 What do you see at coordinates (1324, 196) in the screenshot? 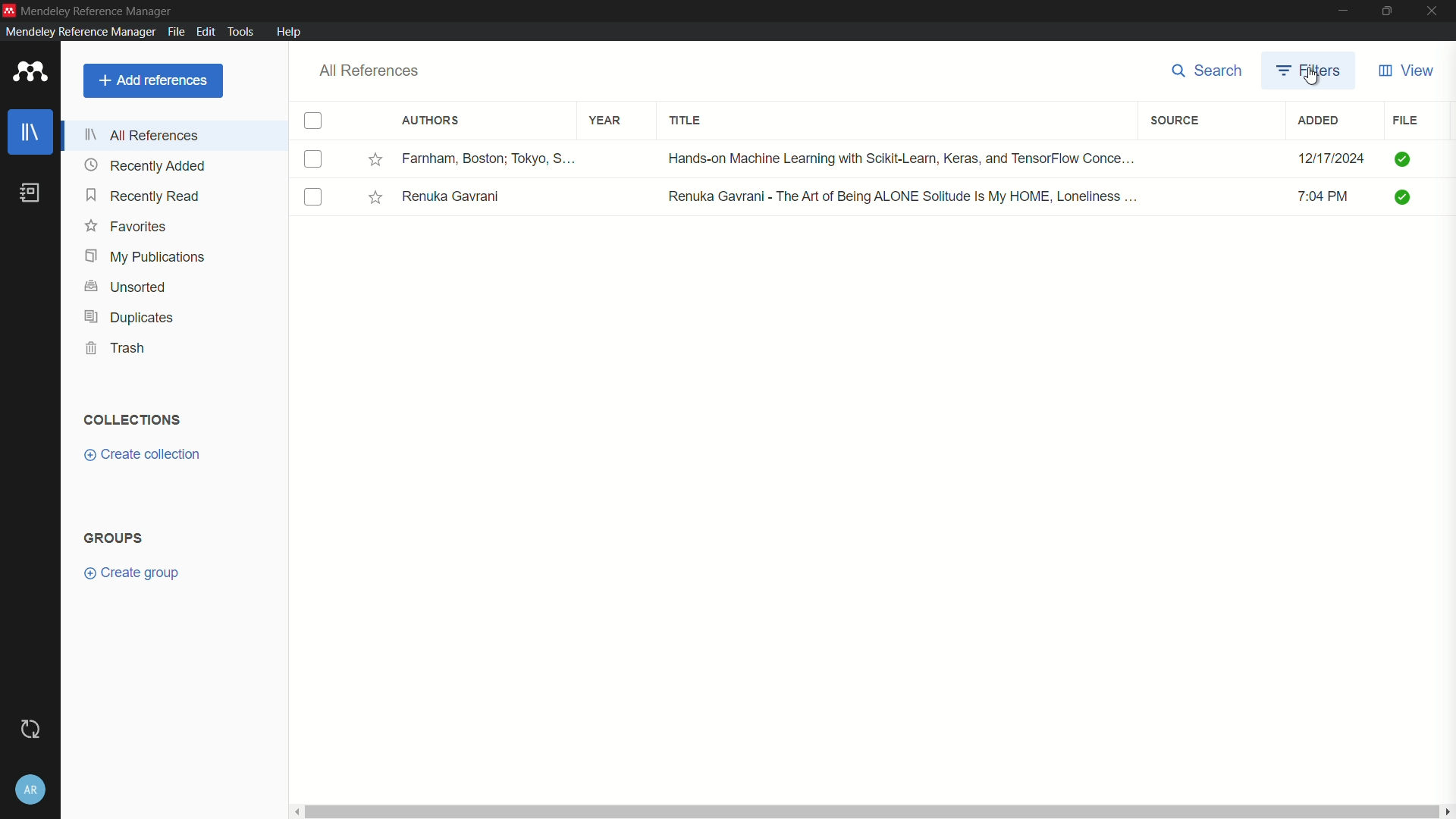
I see `7:04 PM` at bounding box center [1324, 196].